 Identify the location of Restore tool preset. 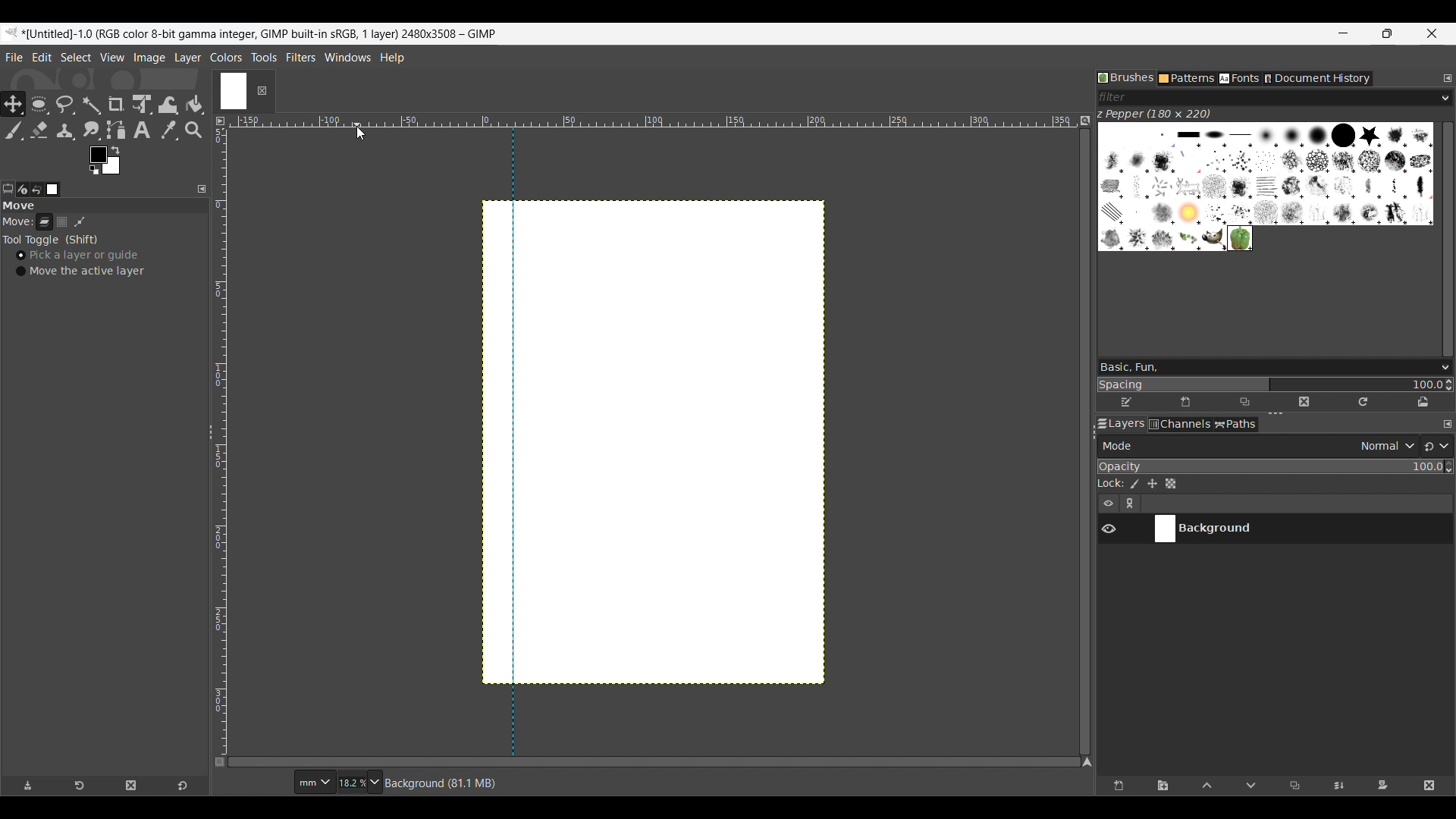
(80, 786).